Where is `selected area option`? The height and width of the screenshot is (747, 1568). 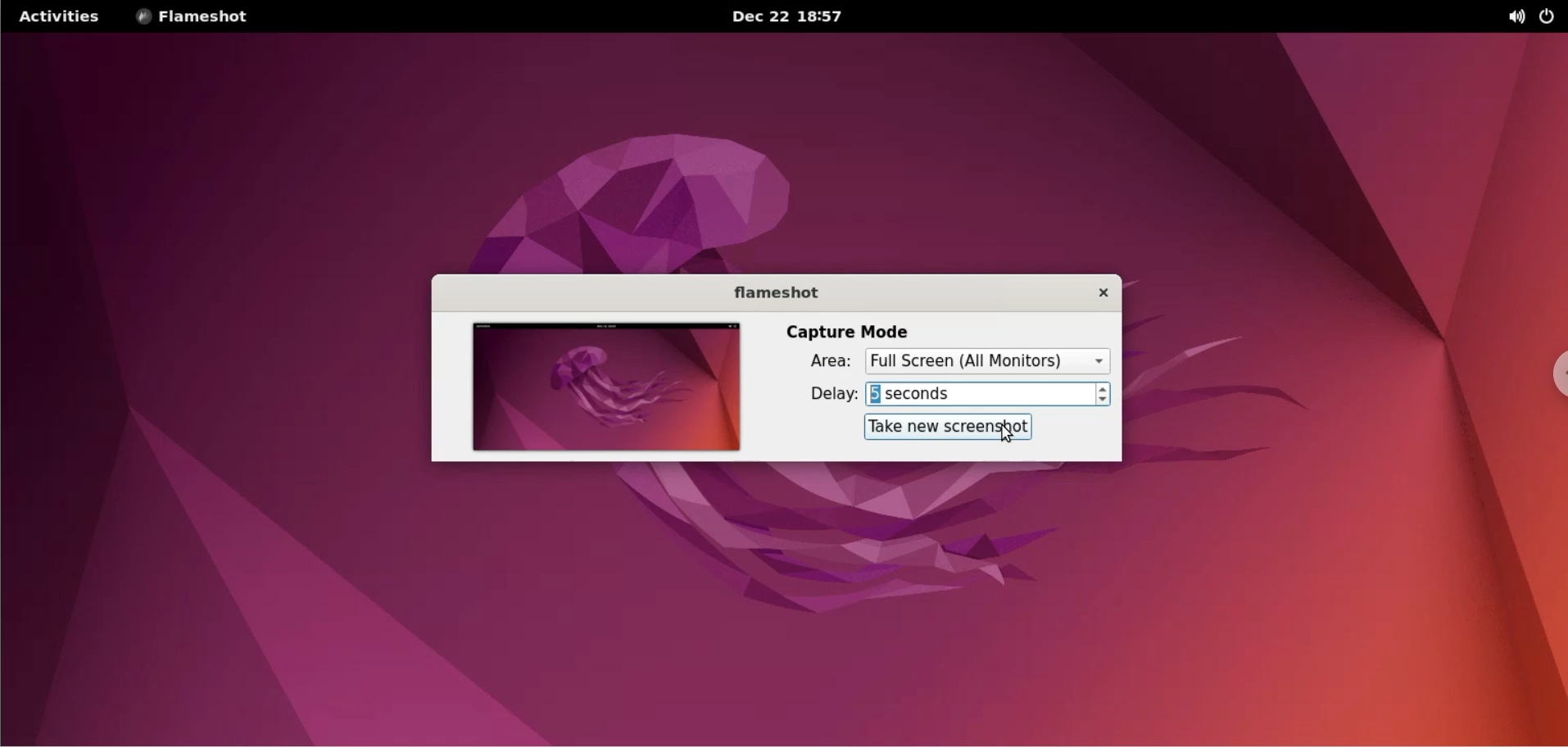 selected area option is located at coordinates (990, 360).